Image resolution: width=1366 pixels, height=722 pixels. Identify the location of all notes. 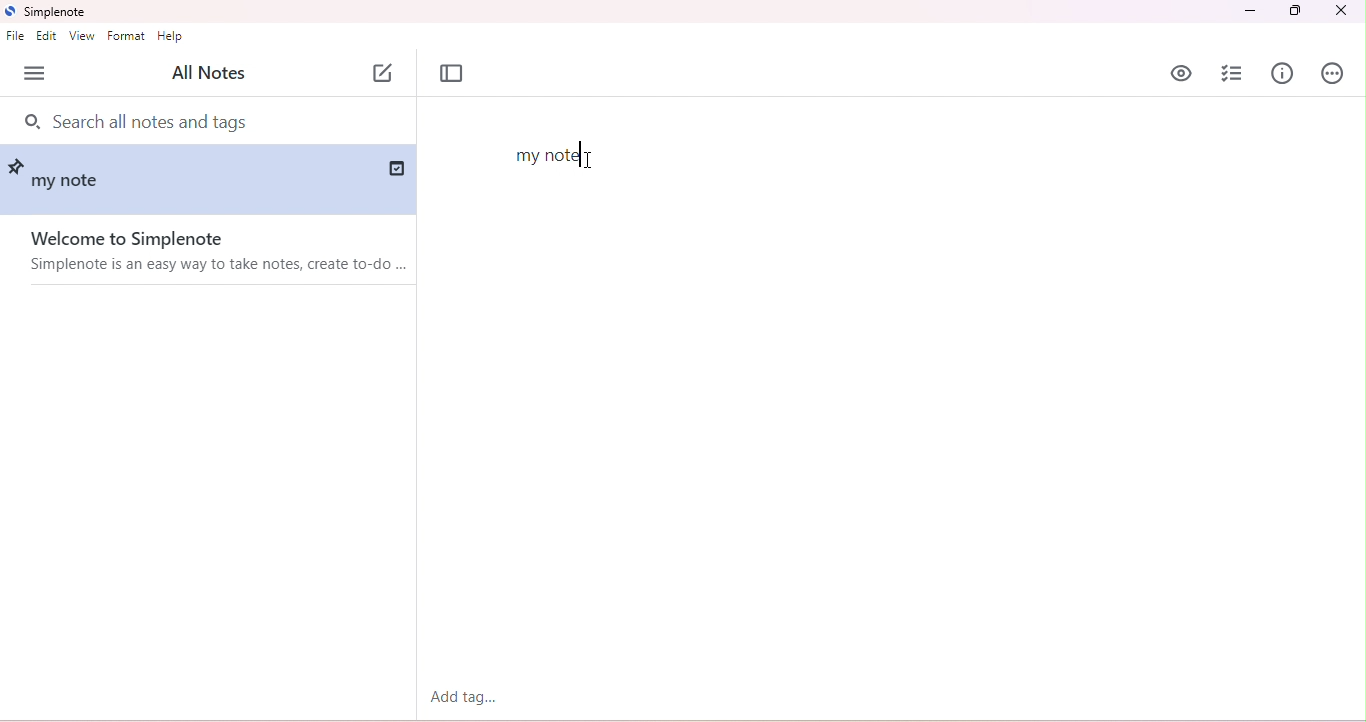
(213, 72).